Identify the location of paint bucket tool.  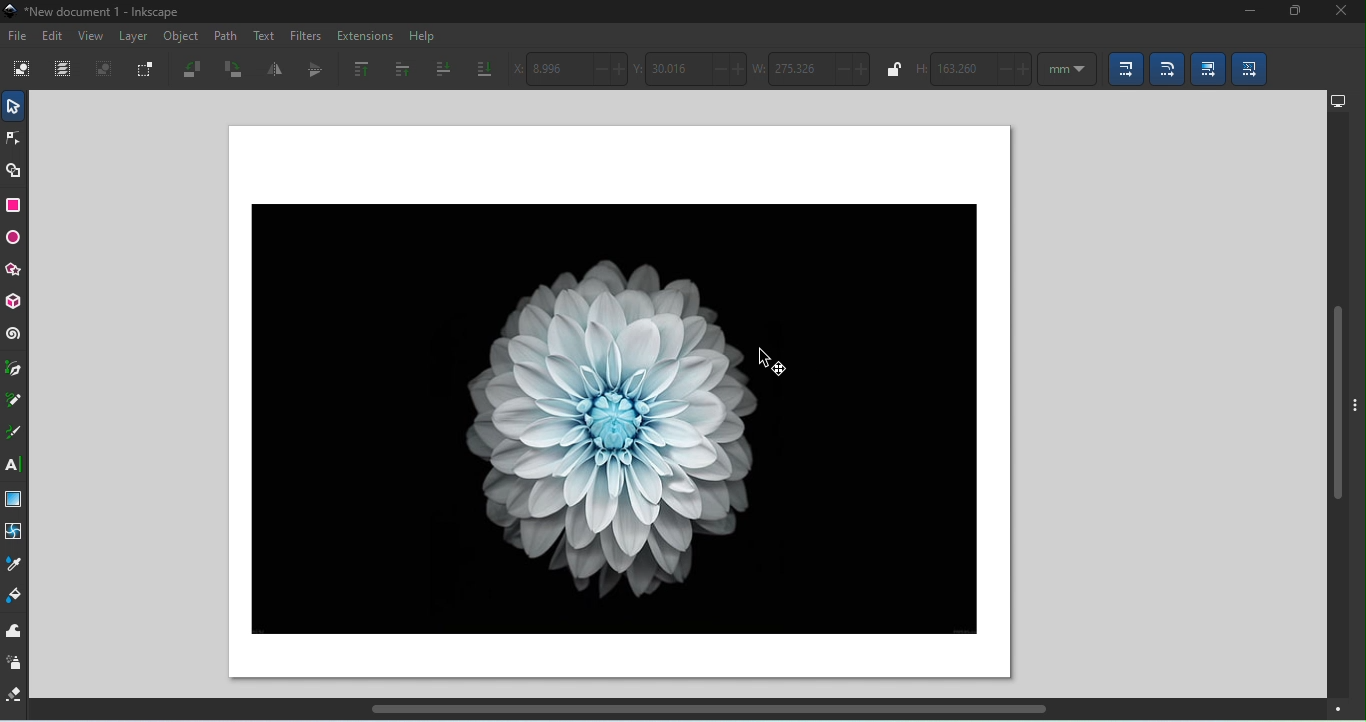
(15, 596).